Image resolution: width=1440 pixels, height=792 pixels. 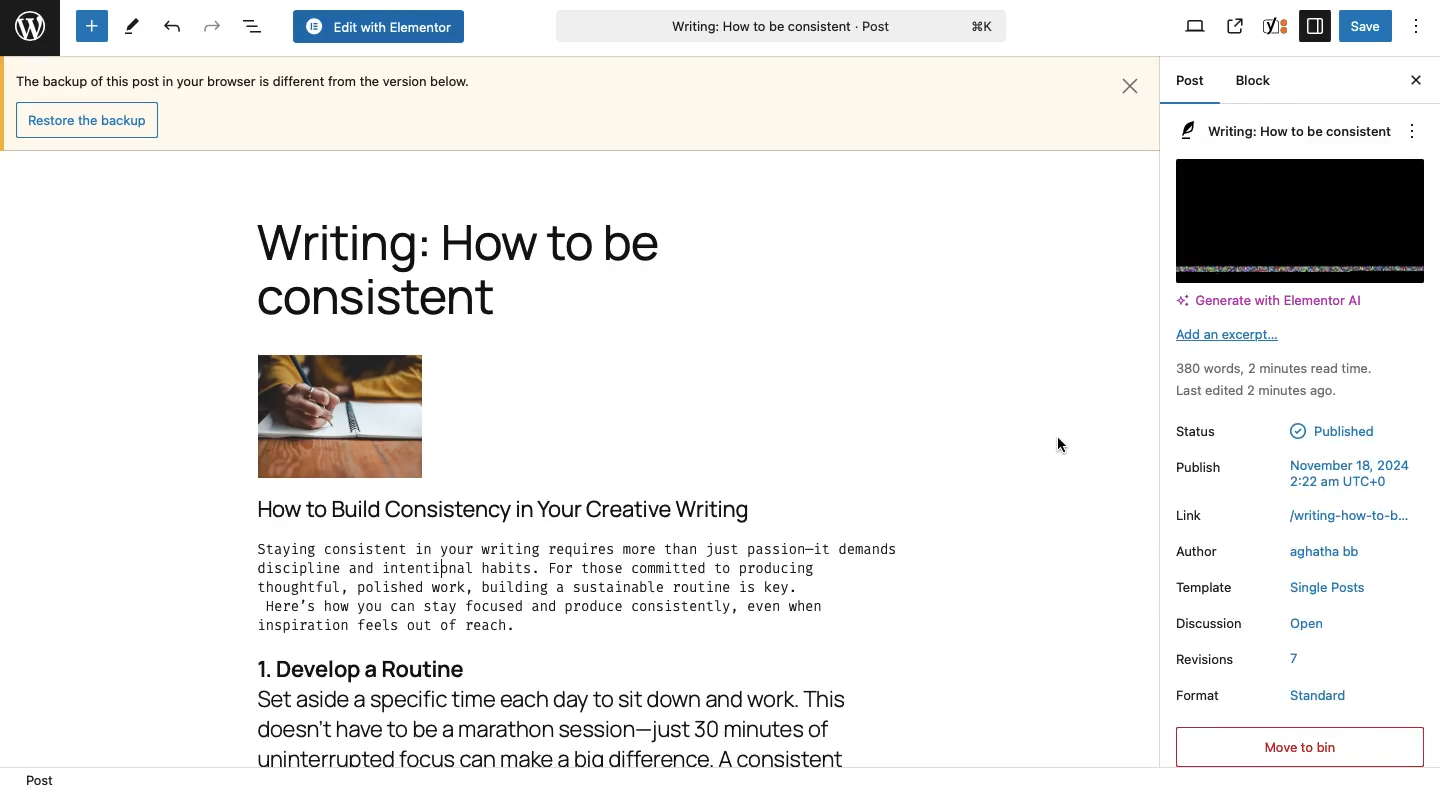 I want to click on Author aghatha bb, so click(x=1296, y=552).